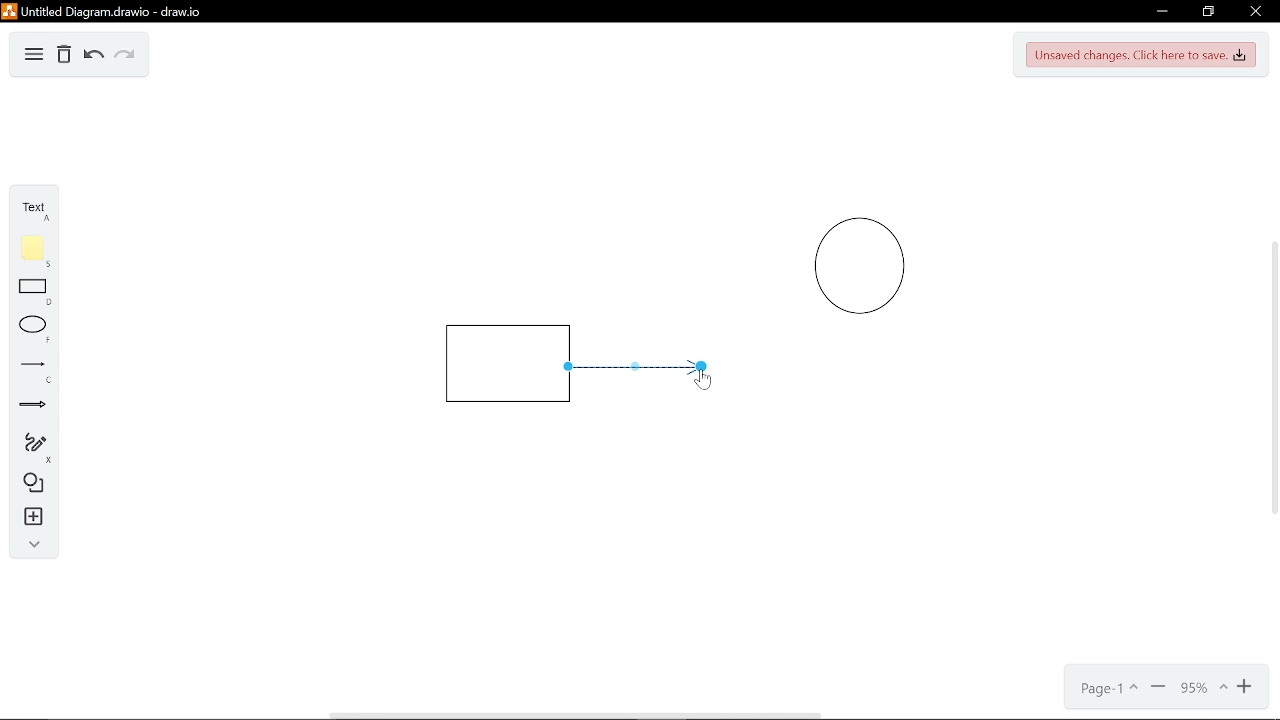 This screenshot has width=1280, height=720. Describe the element at coordinates (34, 56) in the screenshot. I see `Diagram` at that location.